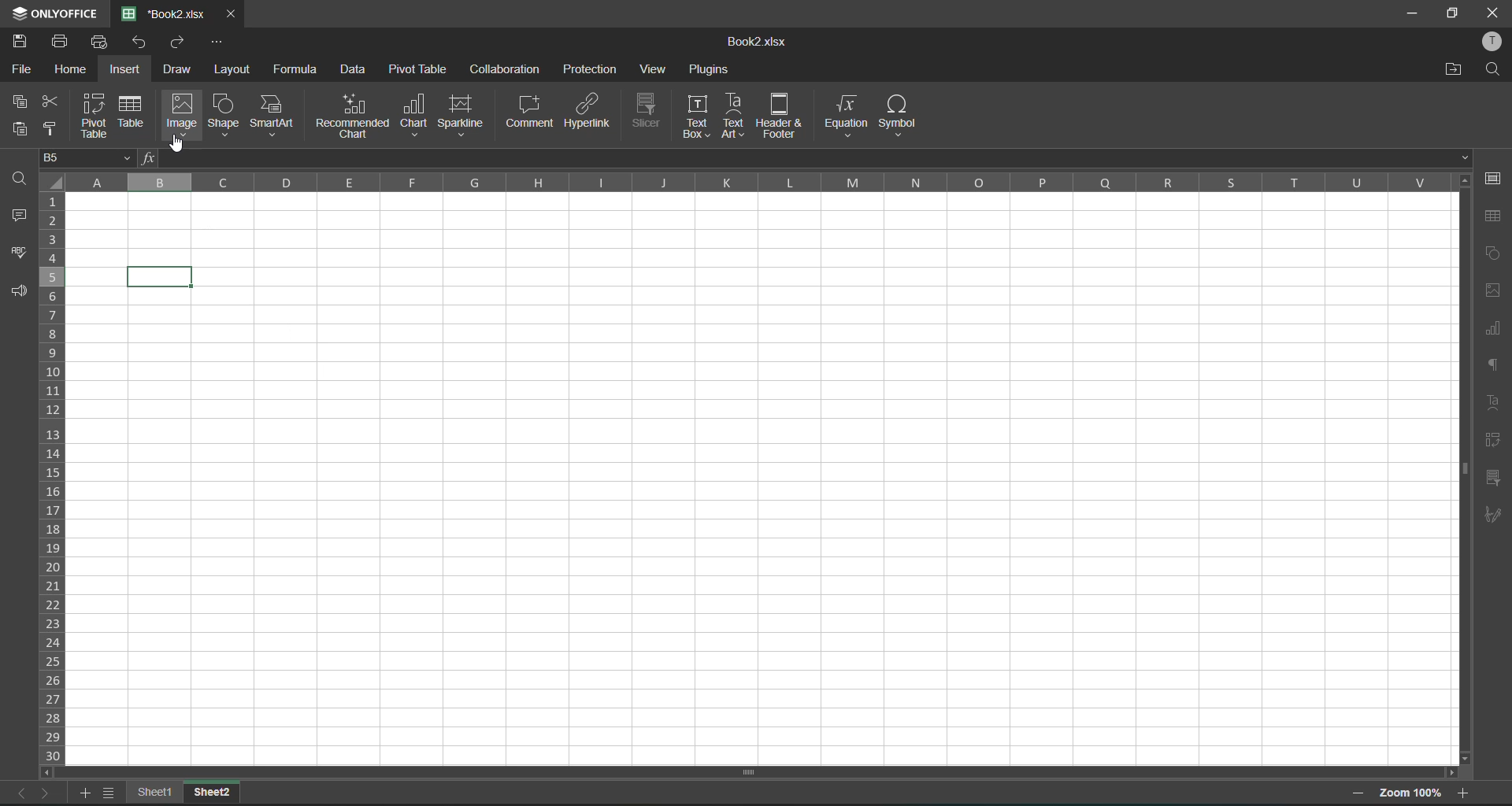  What do you see at coordinates (85, 794) in the screenshot?
I see `add sheet` at bounding box center [85, 794].